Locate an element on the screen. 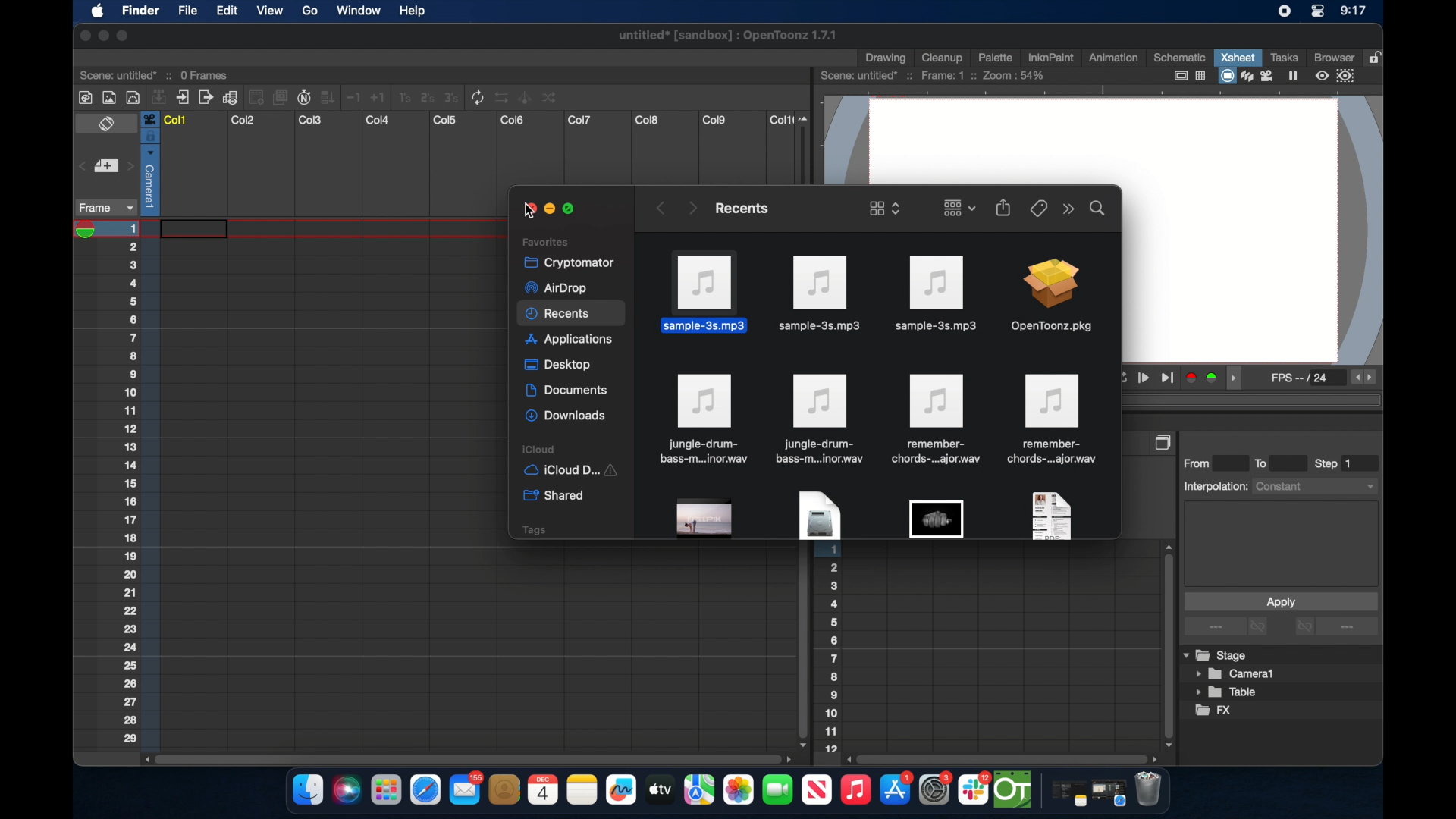 The image size is (1456, 819). obscure image is located at coordinates (936, 519).